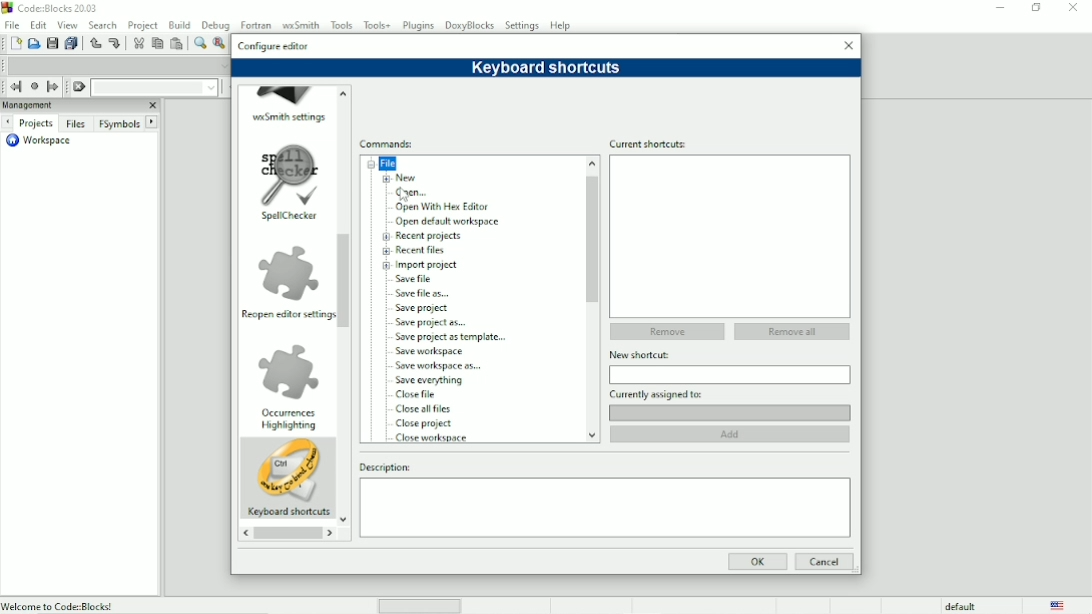  What do you see at coordinates (425, 250) in the screenshot?
I see `Recent files` at bounding box center [425, 250].